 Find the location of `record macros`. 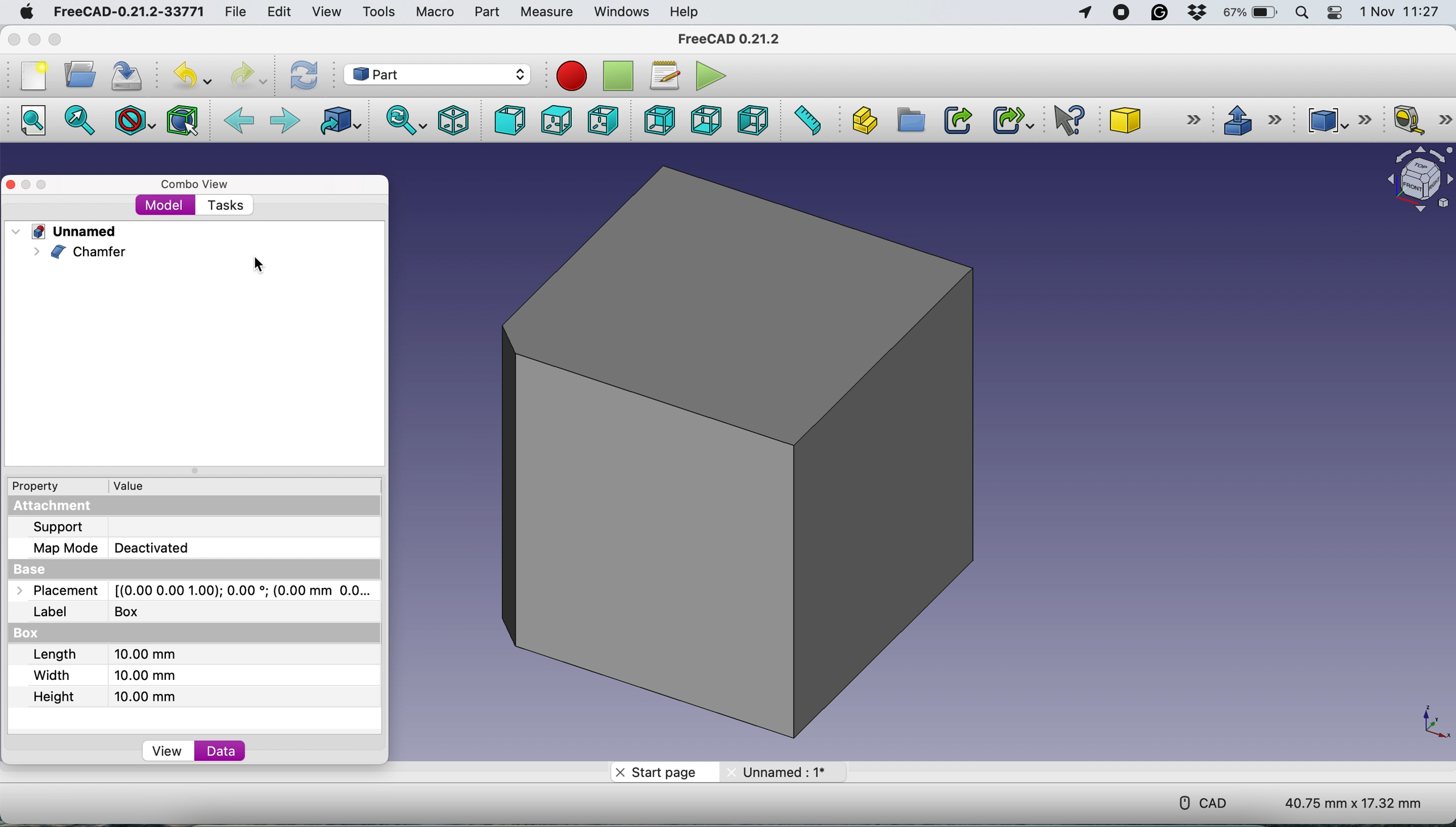

record macros is located at coordinates (565, 77).